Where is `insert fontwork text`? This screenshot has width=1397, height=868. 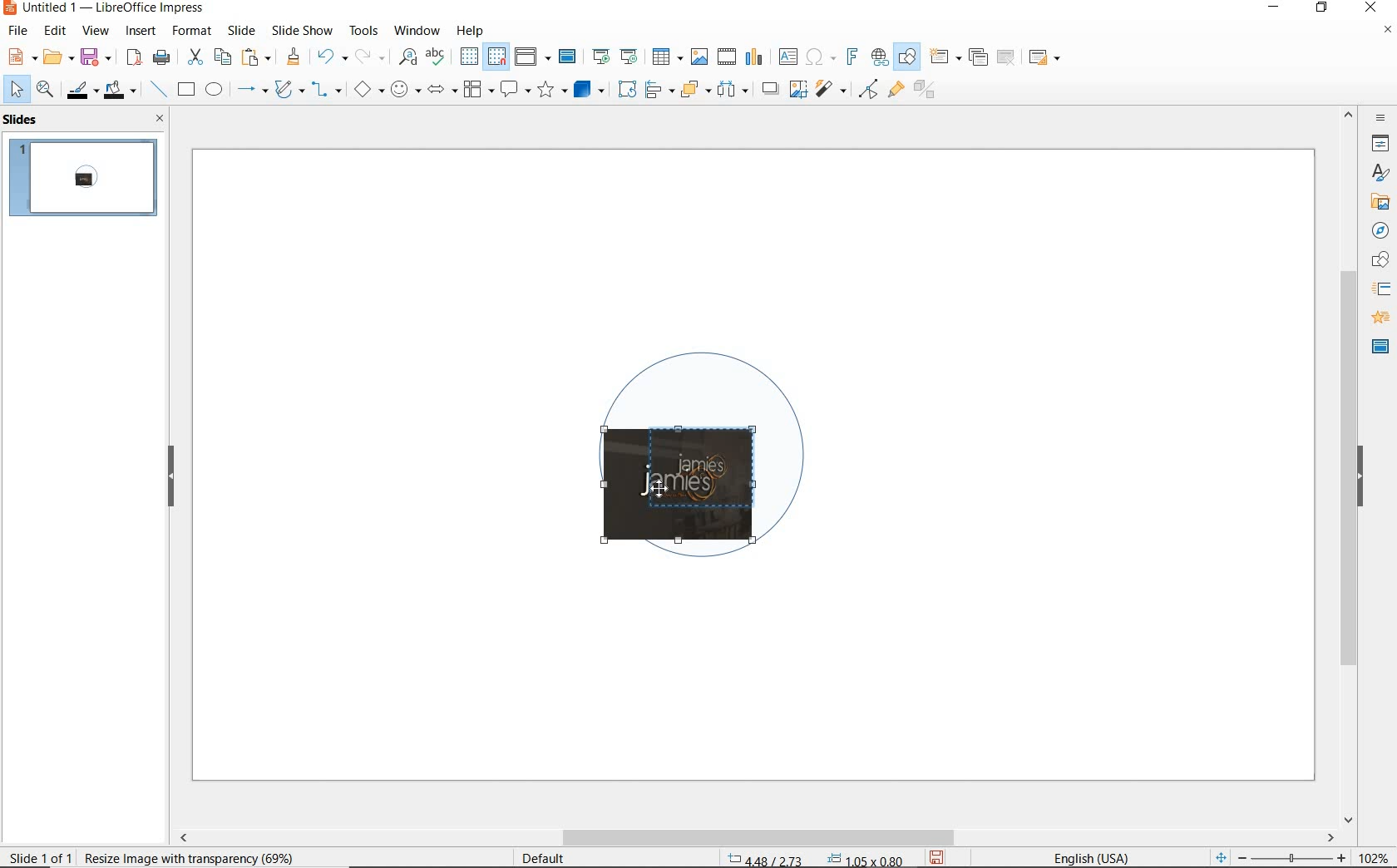
insert fontwork text is located at coordinates (850, 57).